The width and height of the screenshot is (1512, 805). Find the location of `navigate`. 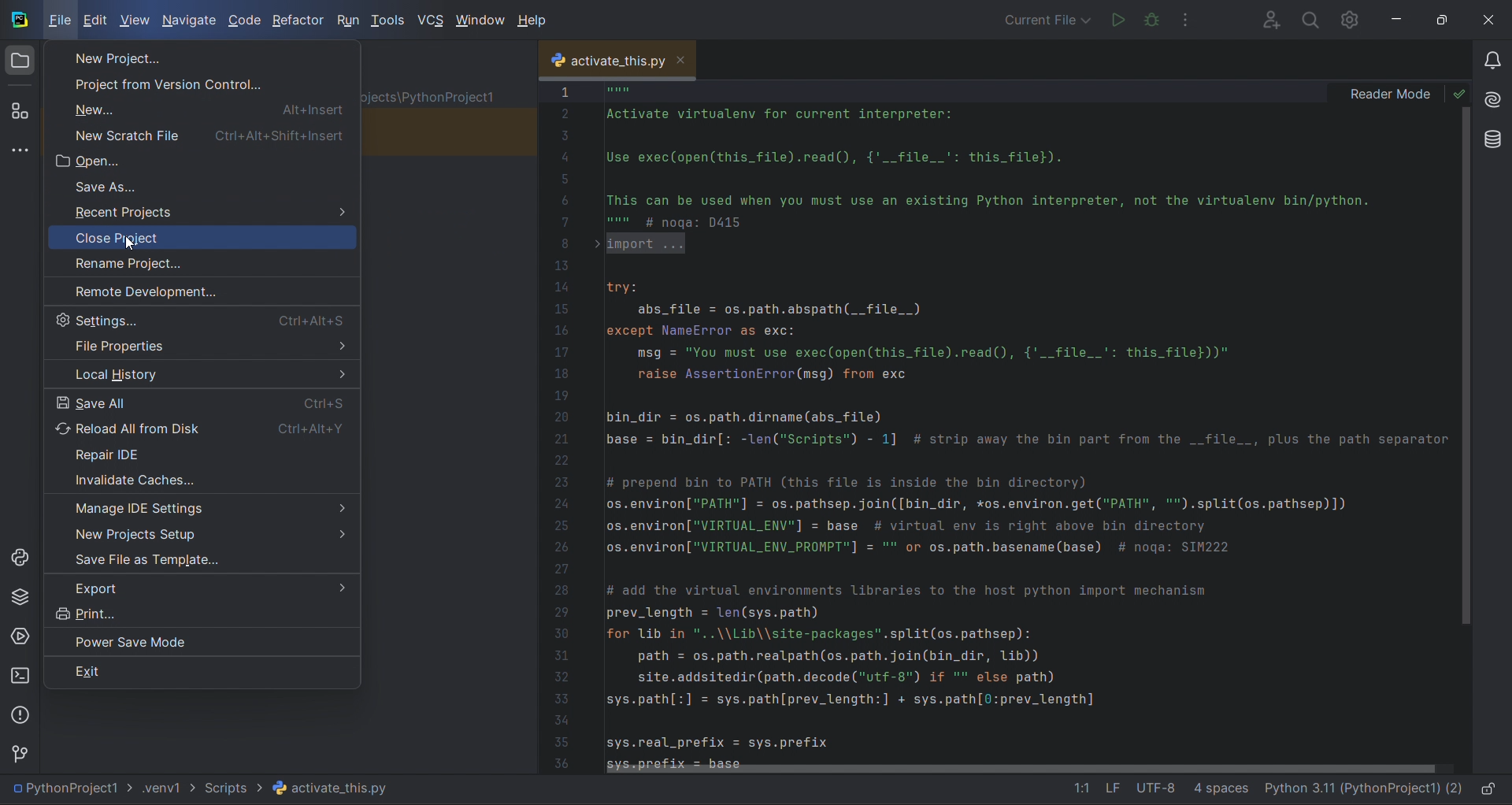

navigate is located at coordinates (186, 20).